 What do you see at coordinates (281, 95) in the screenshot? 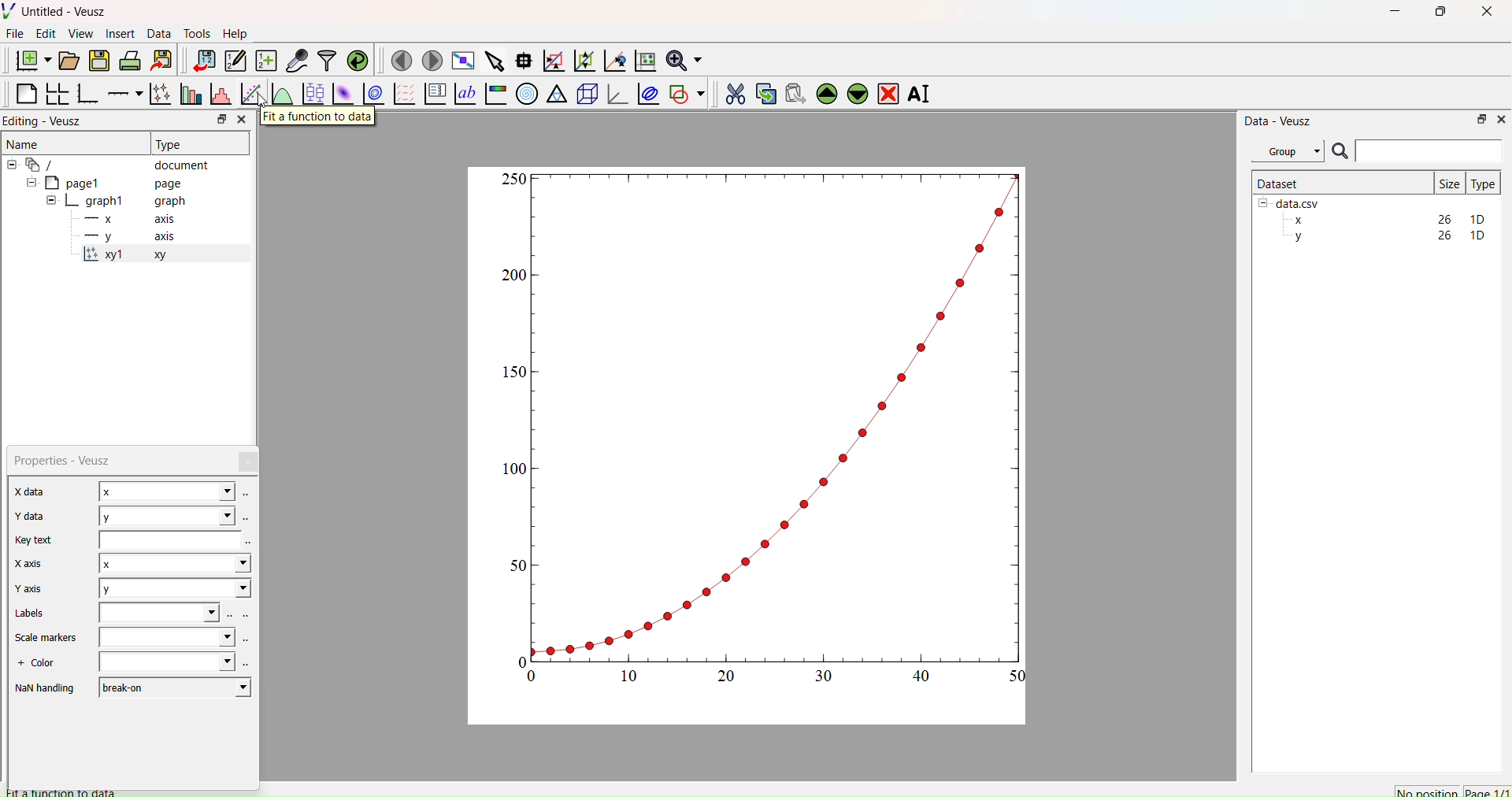
I see `Plot a function` at bounding box center [281, 95].